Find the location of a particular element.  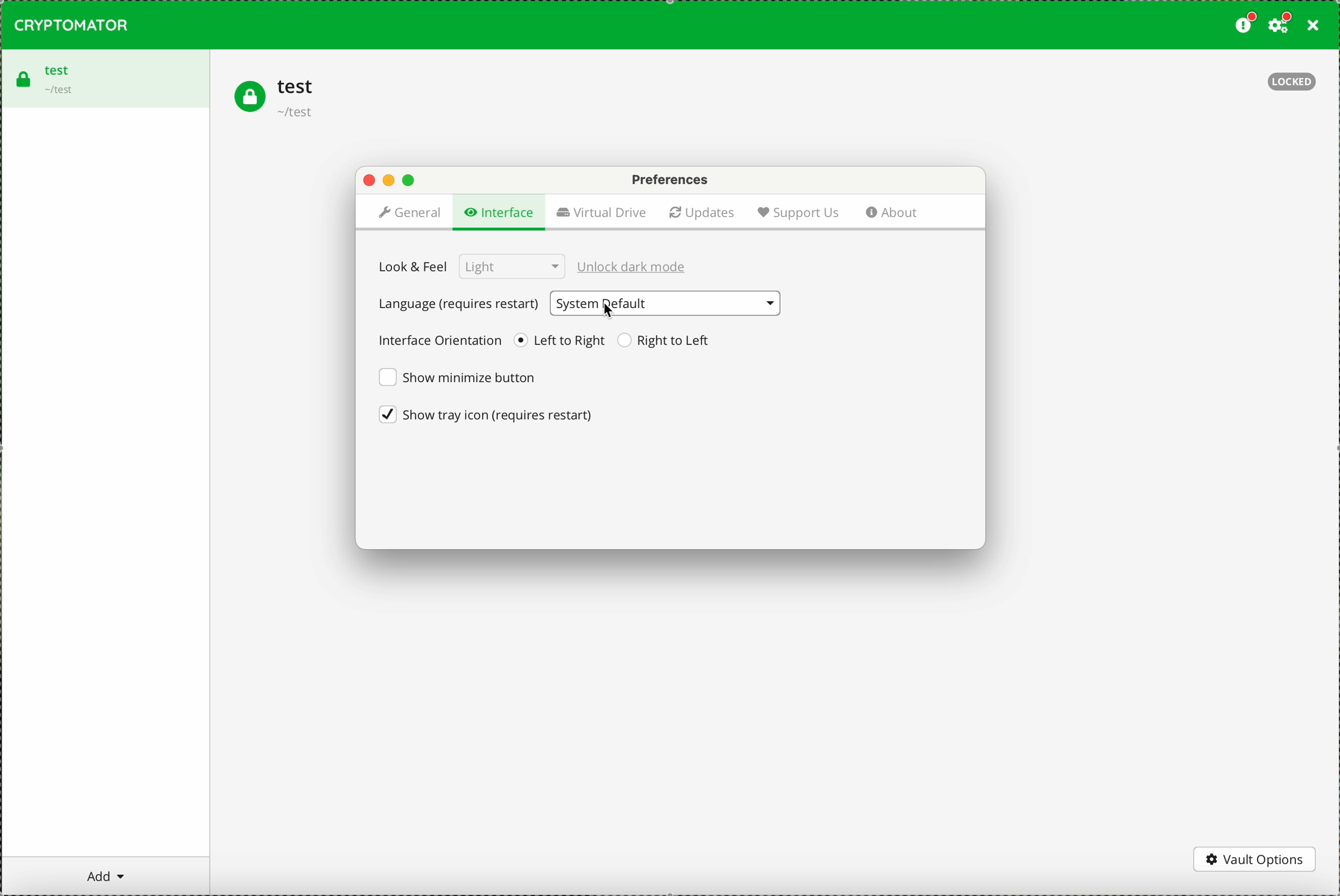

updates is located at coordinates (702, 211).